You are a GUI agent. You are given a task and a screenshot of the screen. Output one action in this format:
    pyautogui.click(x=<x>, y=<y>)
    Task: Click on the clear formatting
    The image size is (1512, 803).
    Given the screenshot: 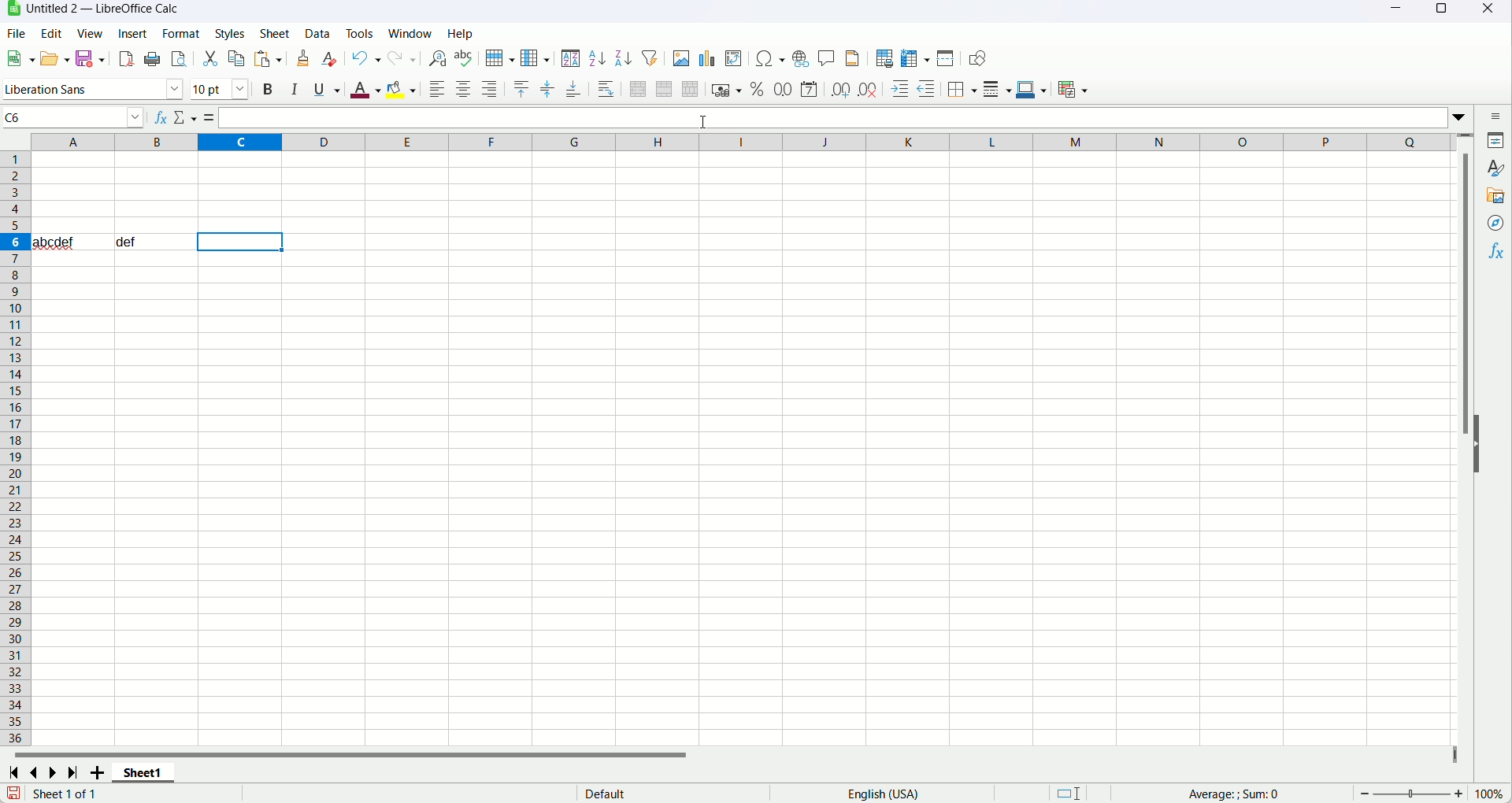 What is the action you would take?
    pyautogui.click(x=332, y=59)
    